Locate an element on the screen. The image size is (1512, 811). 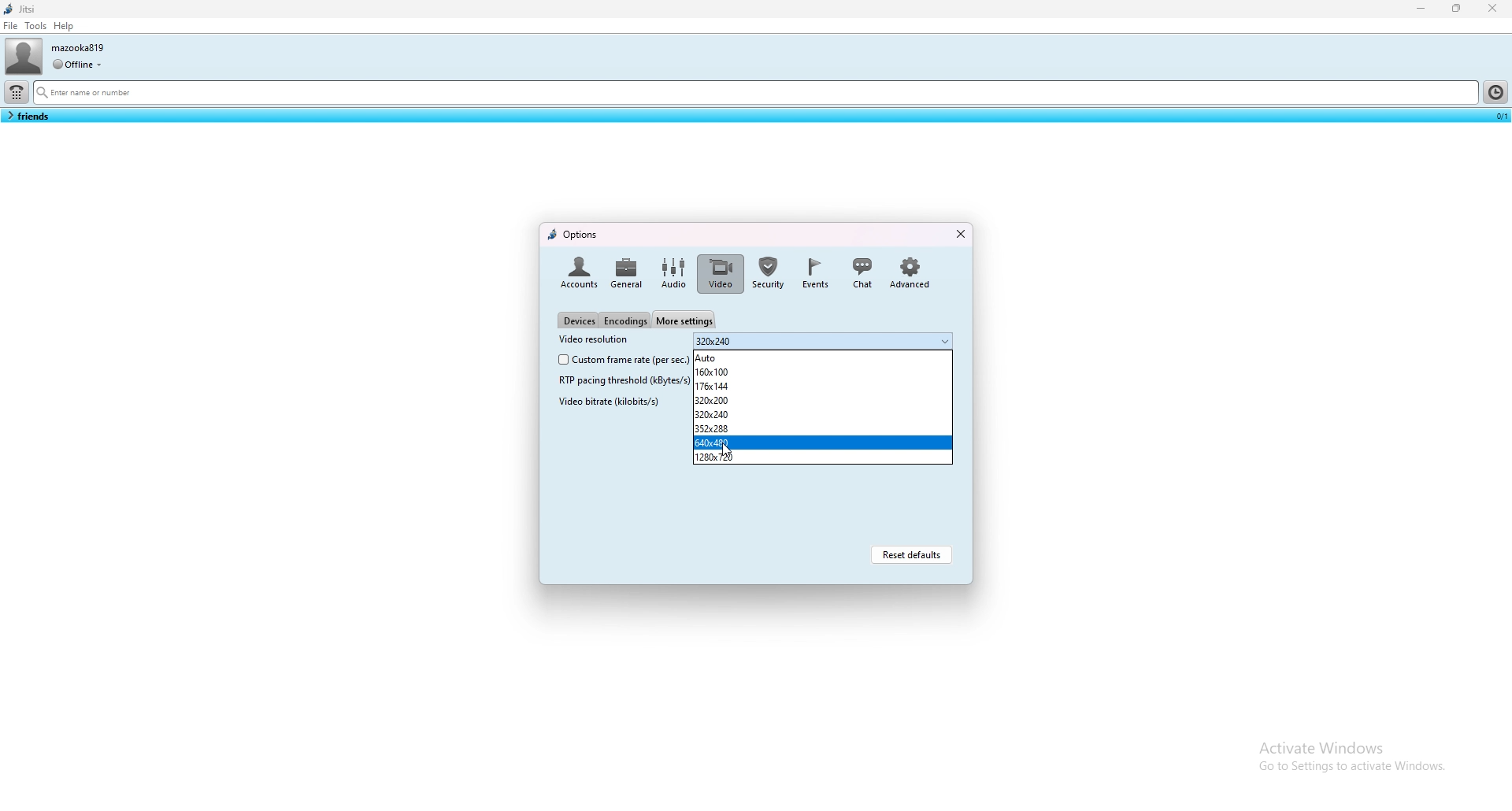
RTP pacing threshold (kByte/s is located at coordinates (617, 380).